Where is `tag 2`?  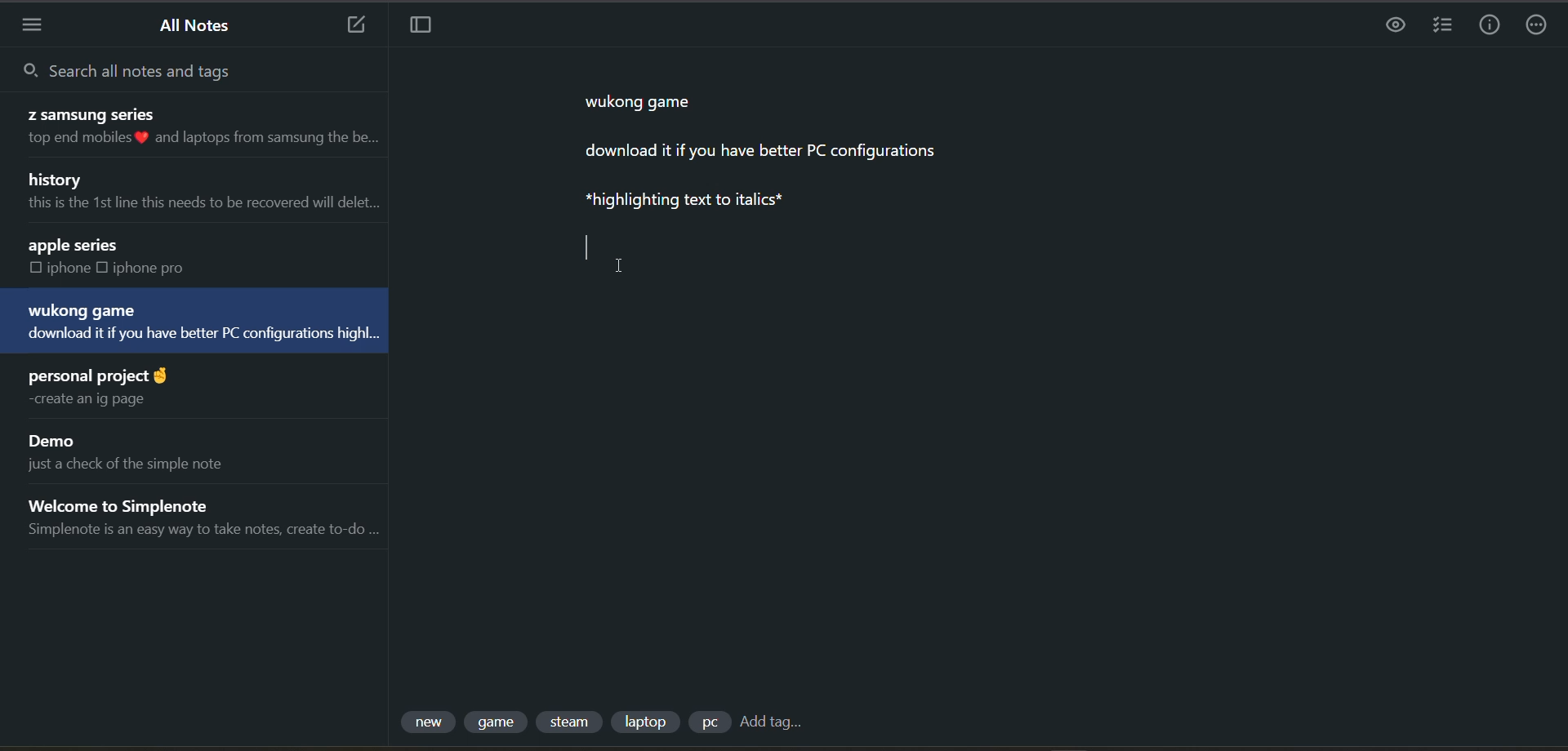 tag 2 is located at coordinates (501, 725).